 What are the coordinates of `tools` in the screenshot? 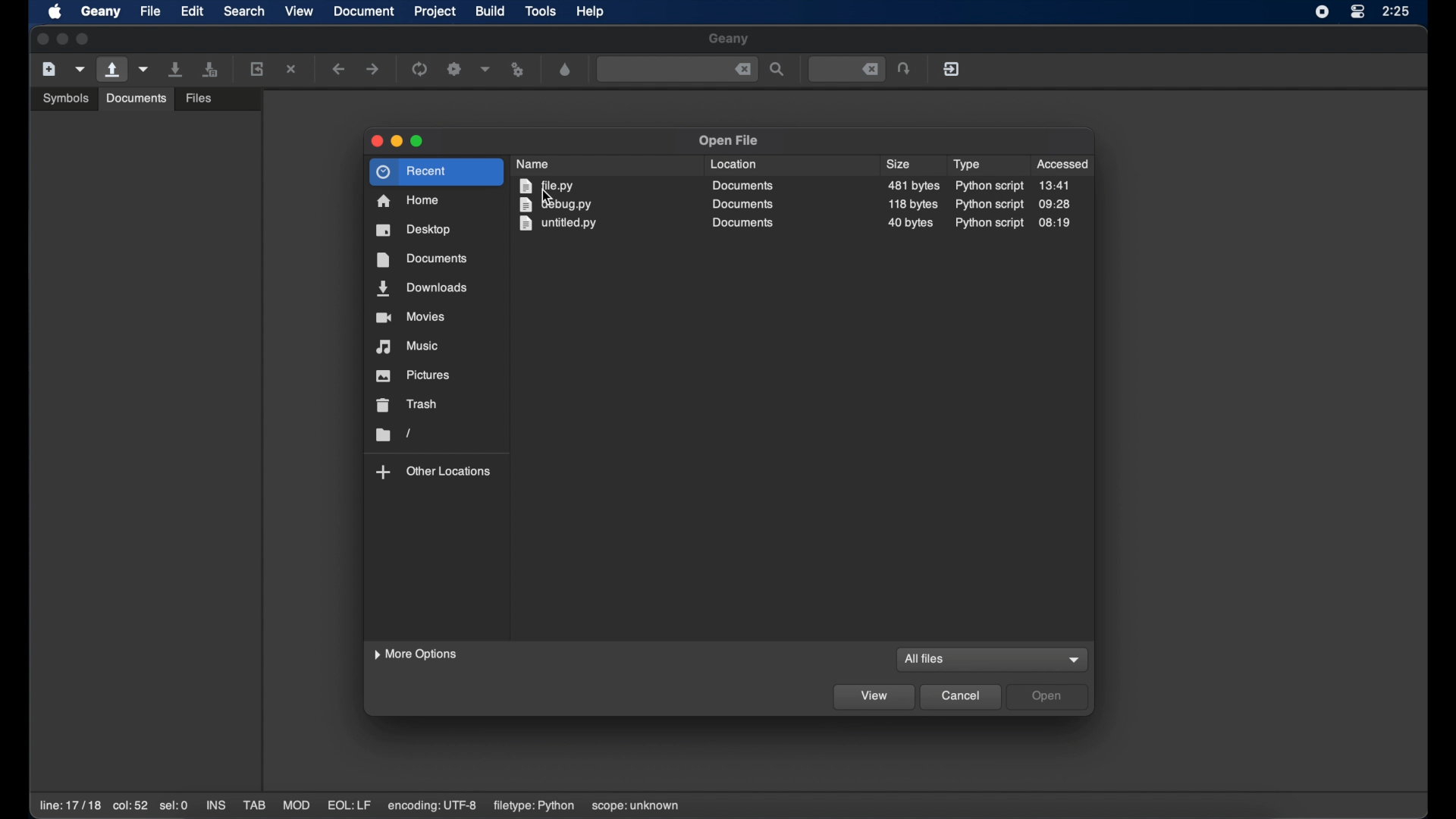 It's located at (541, 11).